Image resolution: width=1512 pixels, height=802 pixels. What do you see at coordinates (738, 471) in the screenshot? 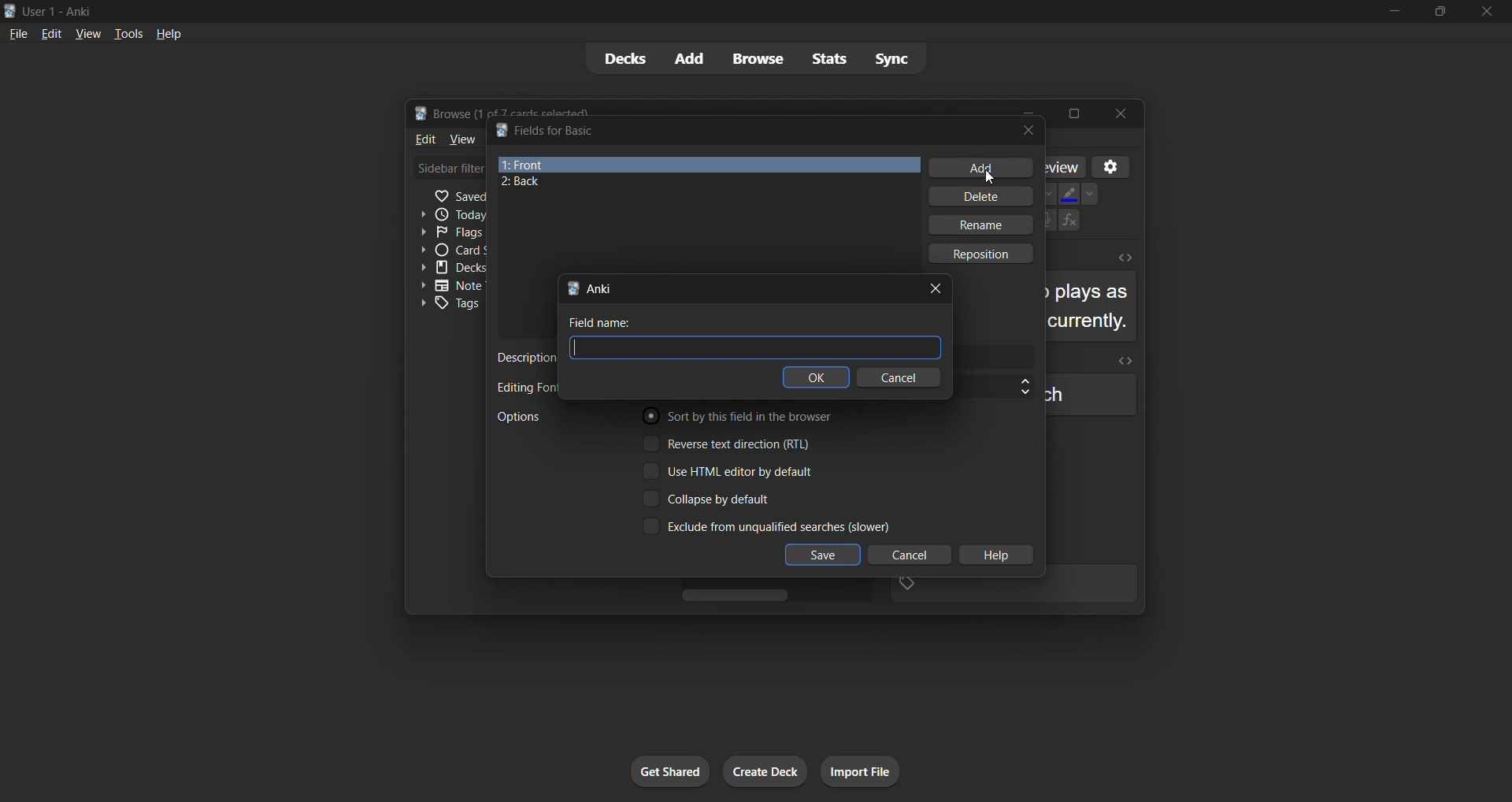
I see `Use HTML editor by default` at bounding box center [738, 471].